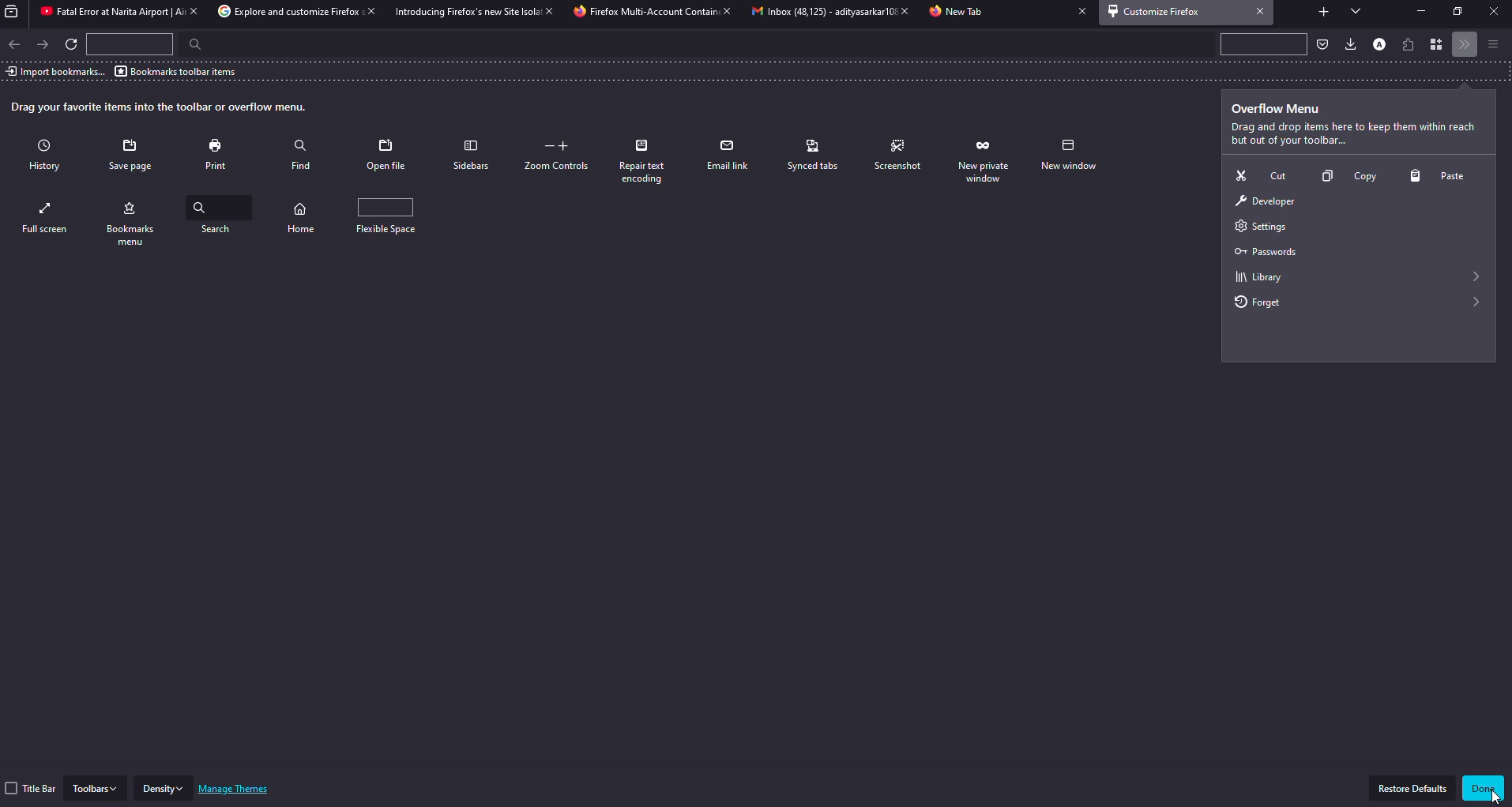 The width and height of the screenshot is (1512, 807). I want to click on save page, so click(134, 156).